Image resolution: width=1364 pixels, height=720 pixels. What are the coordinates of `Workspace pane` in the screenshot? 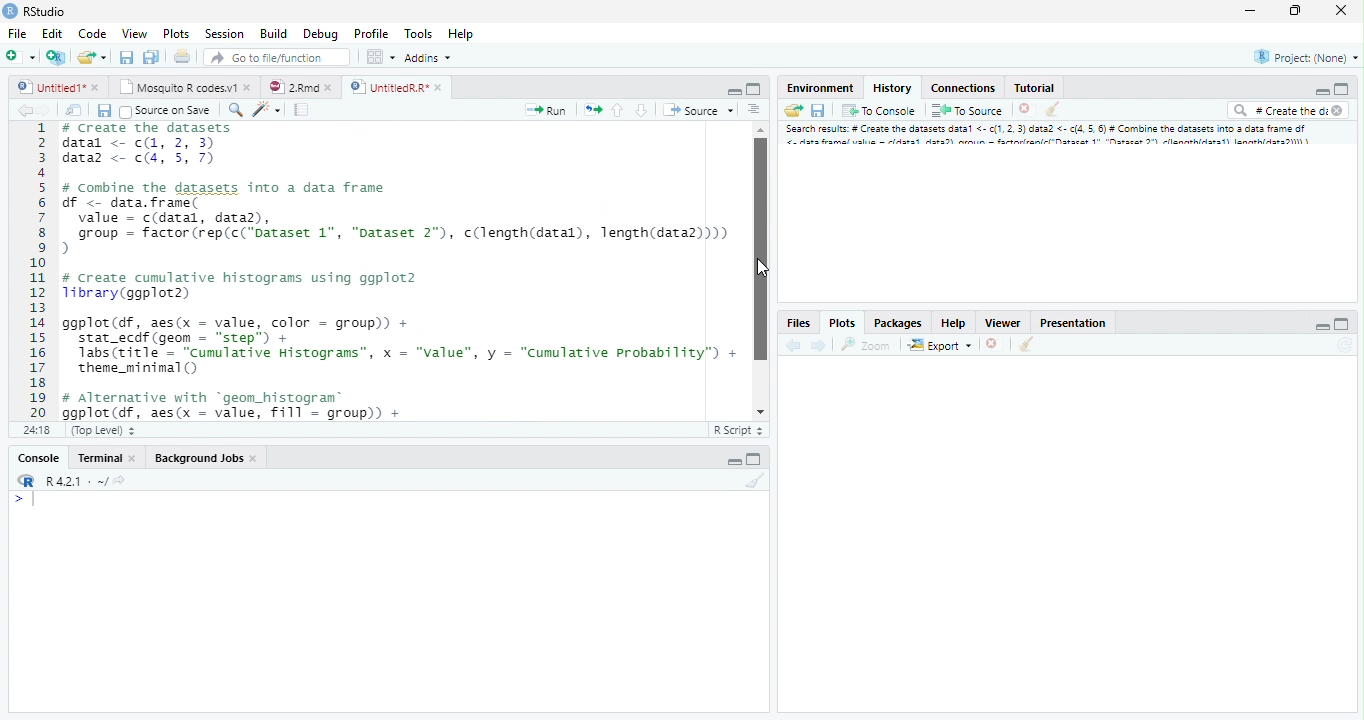 It's located at (381, 58).